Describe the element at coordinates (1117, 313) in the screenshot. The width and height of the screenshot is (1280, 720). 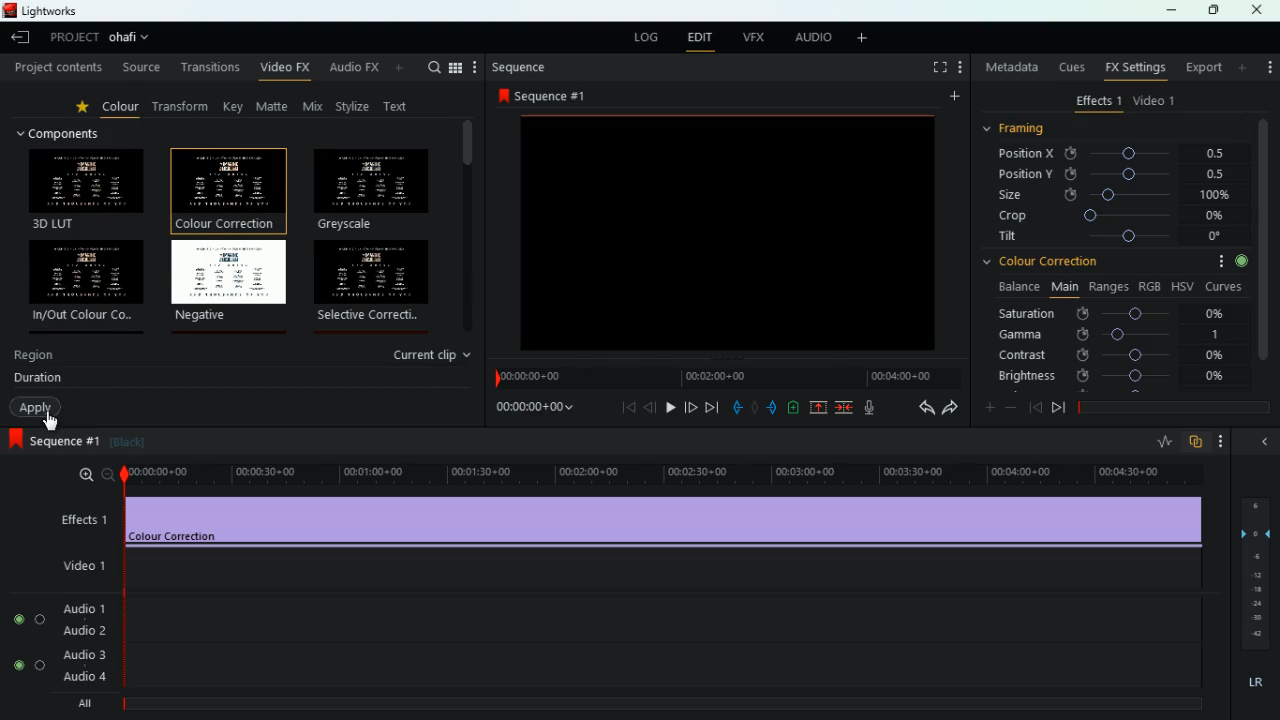
I see `saturation` at that location.